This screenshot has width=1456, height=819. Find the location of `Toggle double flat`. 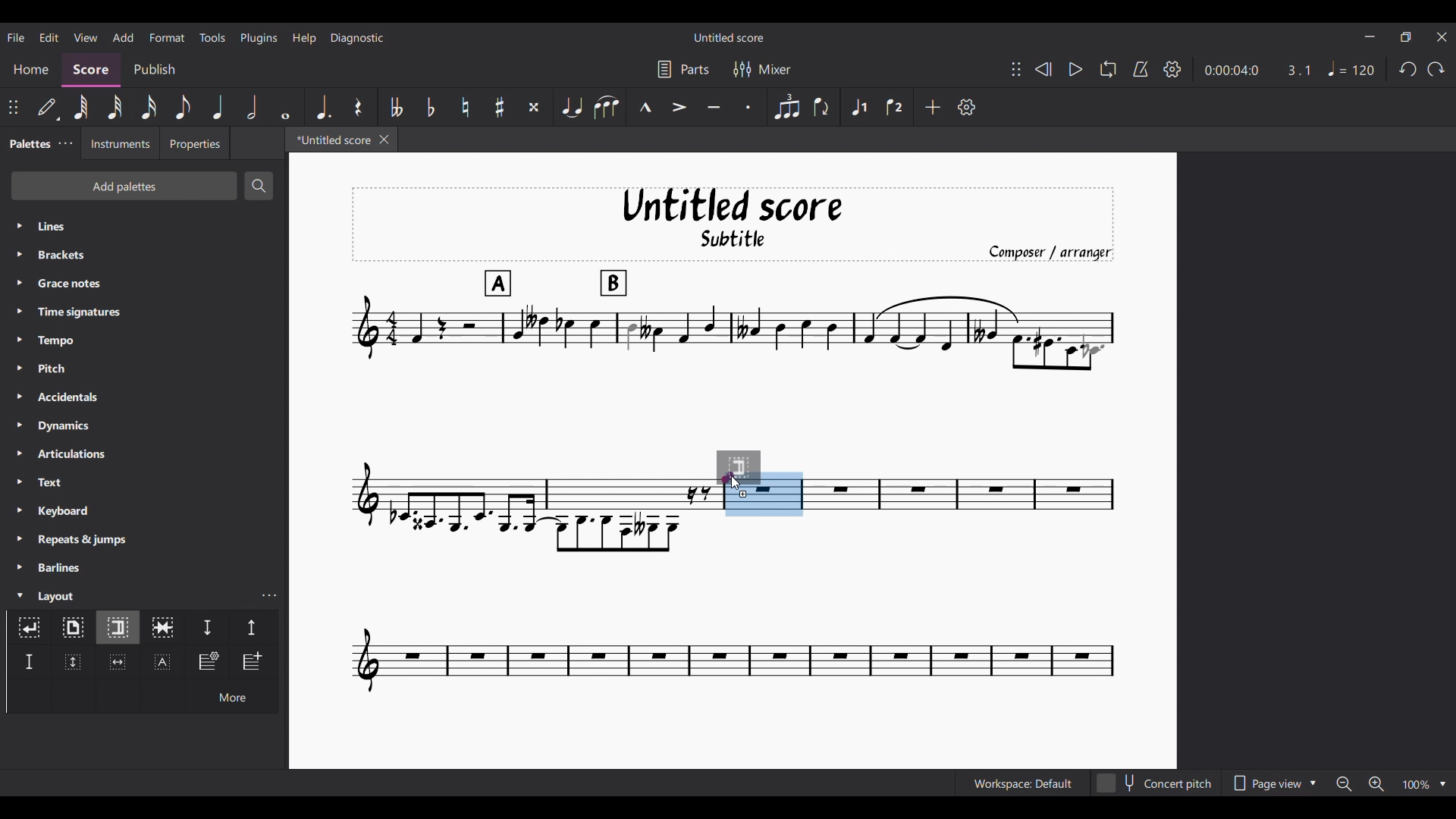

Toggle double flat is located at coordinates (394, 107).